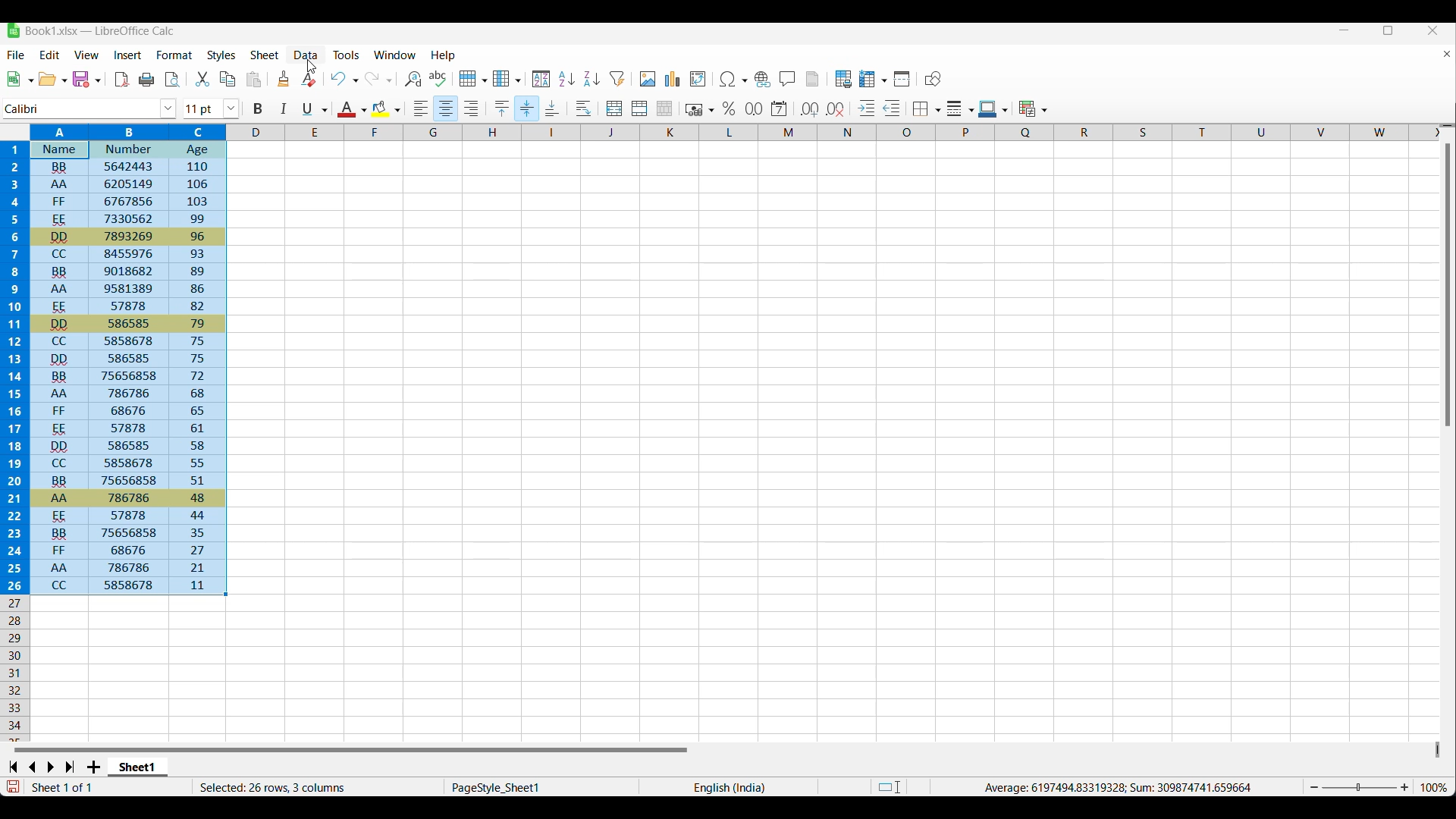  What do you see at coordinates (810, 109) in the screenshot?
I see `Add decimal place` at bounding box center [810, 109].